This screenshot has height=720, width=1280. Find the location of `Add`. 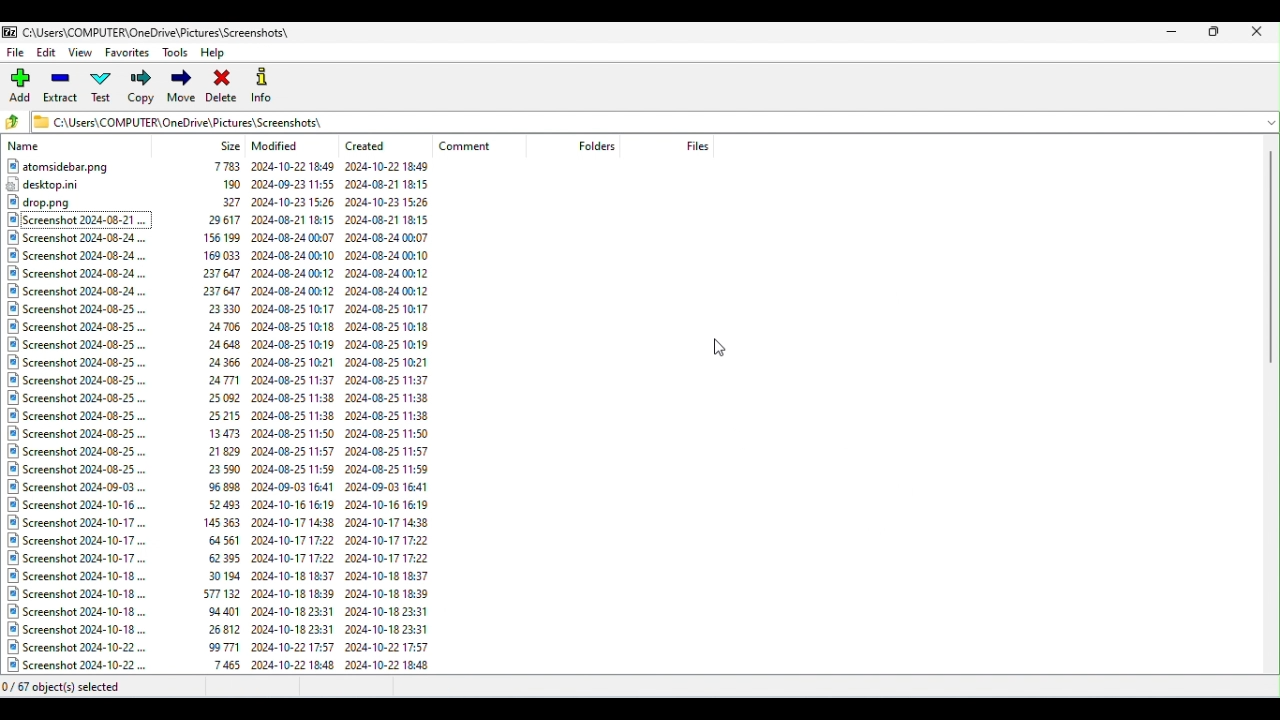

Add is located at coordinates (23, 86).